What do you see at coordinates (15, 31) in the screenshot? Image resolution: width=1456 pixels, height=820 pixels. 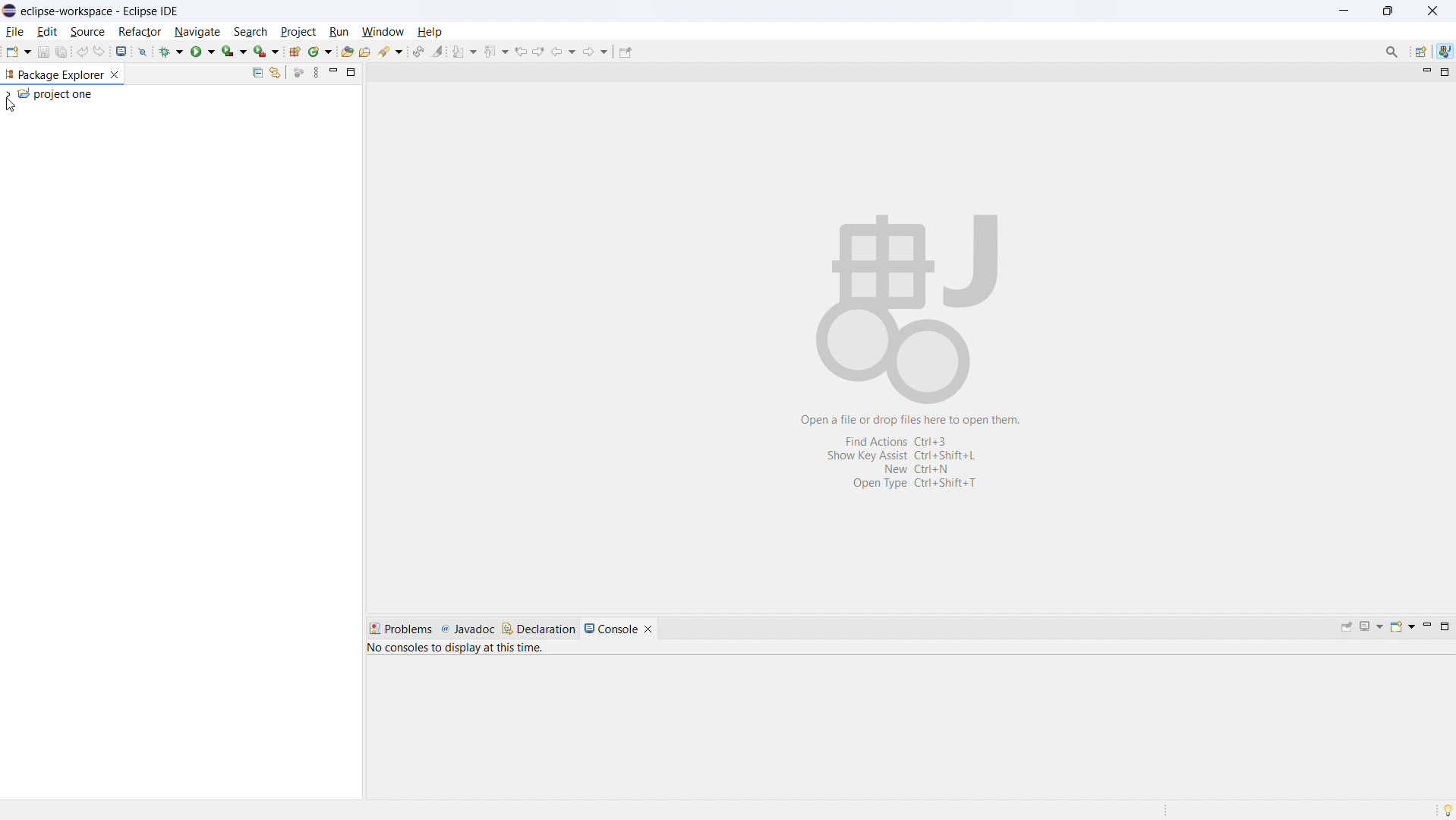 I see `file` at bounding box center [15, 31].